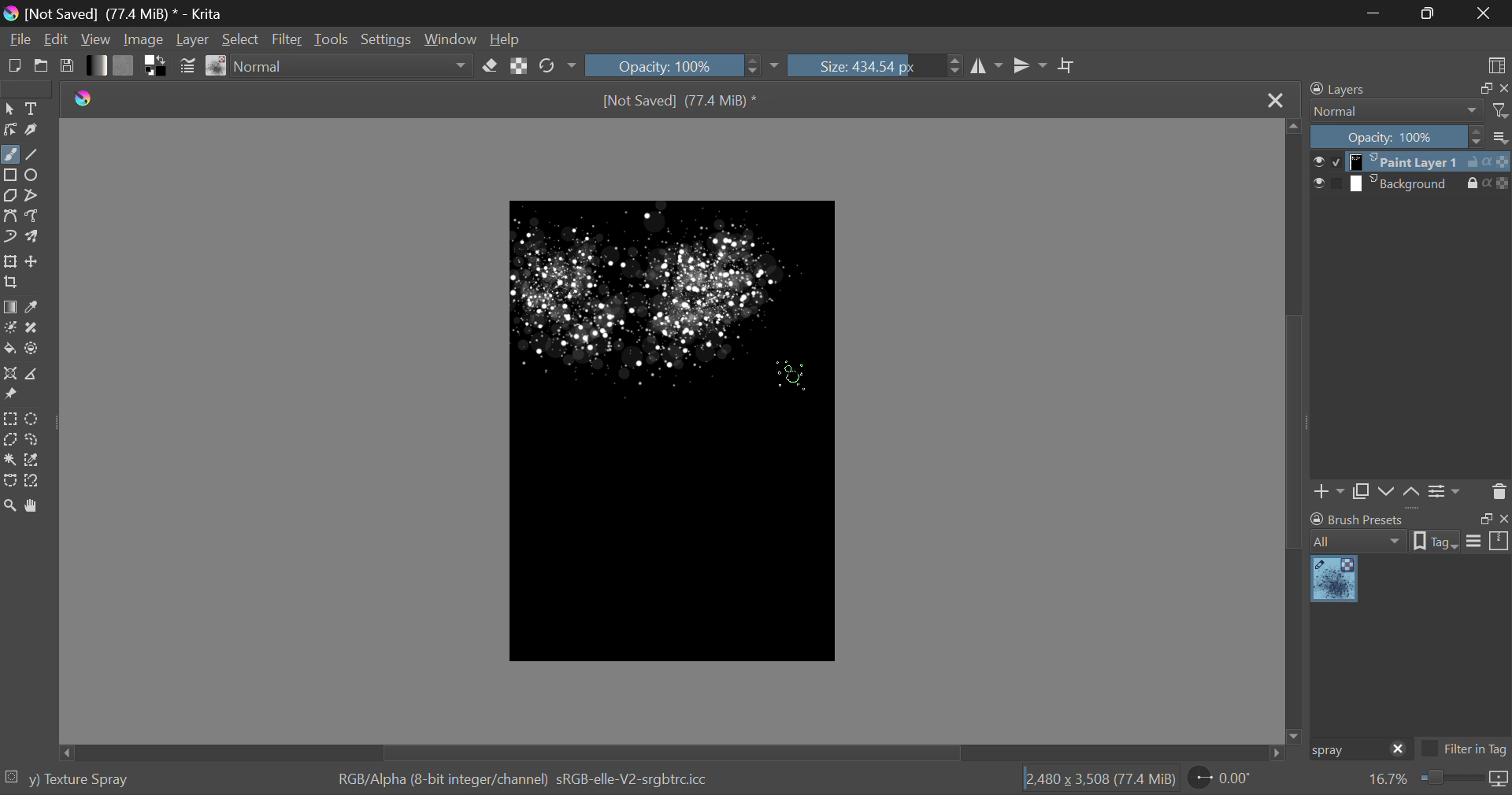  I want to click on checkbox, so click(1326, 161).